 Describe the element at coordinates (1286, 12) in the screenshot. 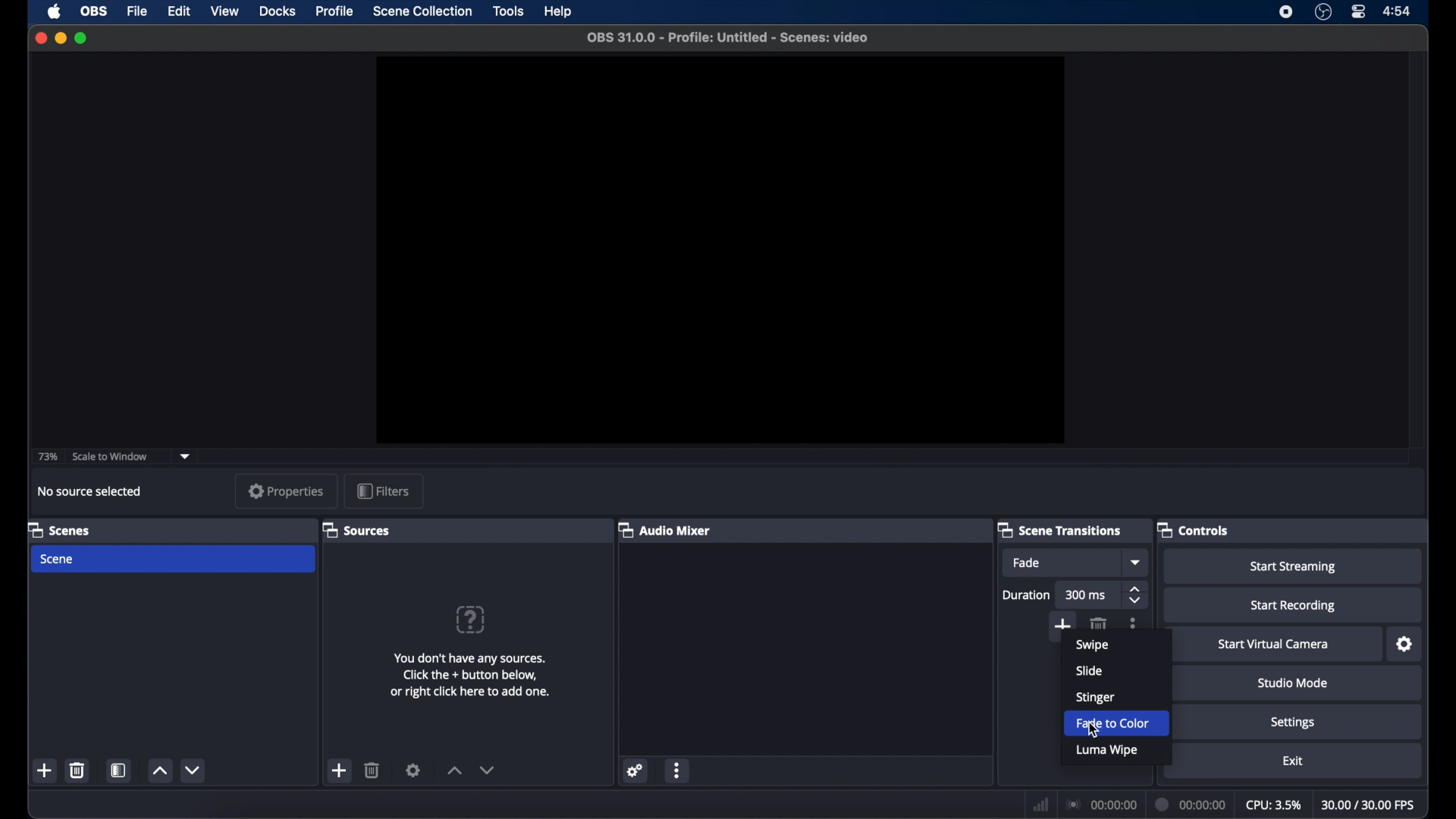

I see `screen recorder icon` at that location.